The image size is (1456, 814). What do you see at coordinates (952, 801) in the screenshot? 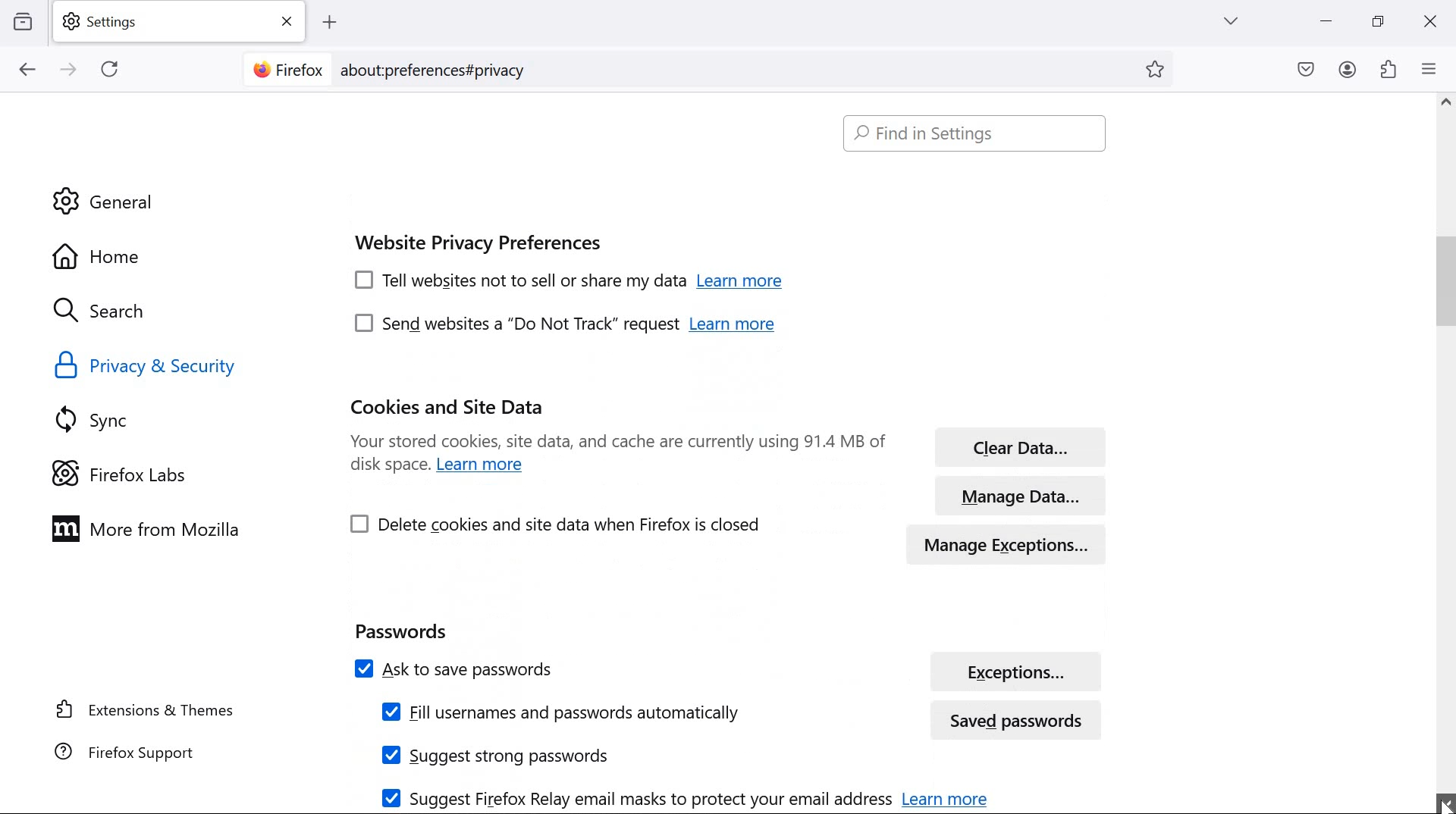
I see `learn more about relay emails for email protection` at bounding box center [952, 801].